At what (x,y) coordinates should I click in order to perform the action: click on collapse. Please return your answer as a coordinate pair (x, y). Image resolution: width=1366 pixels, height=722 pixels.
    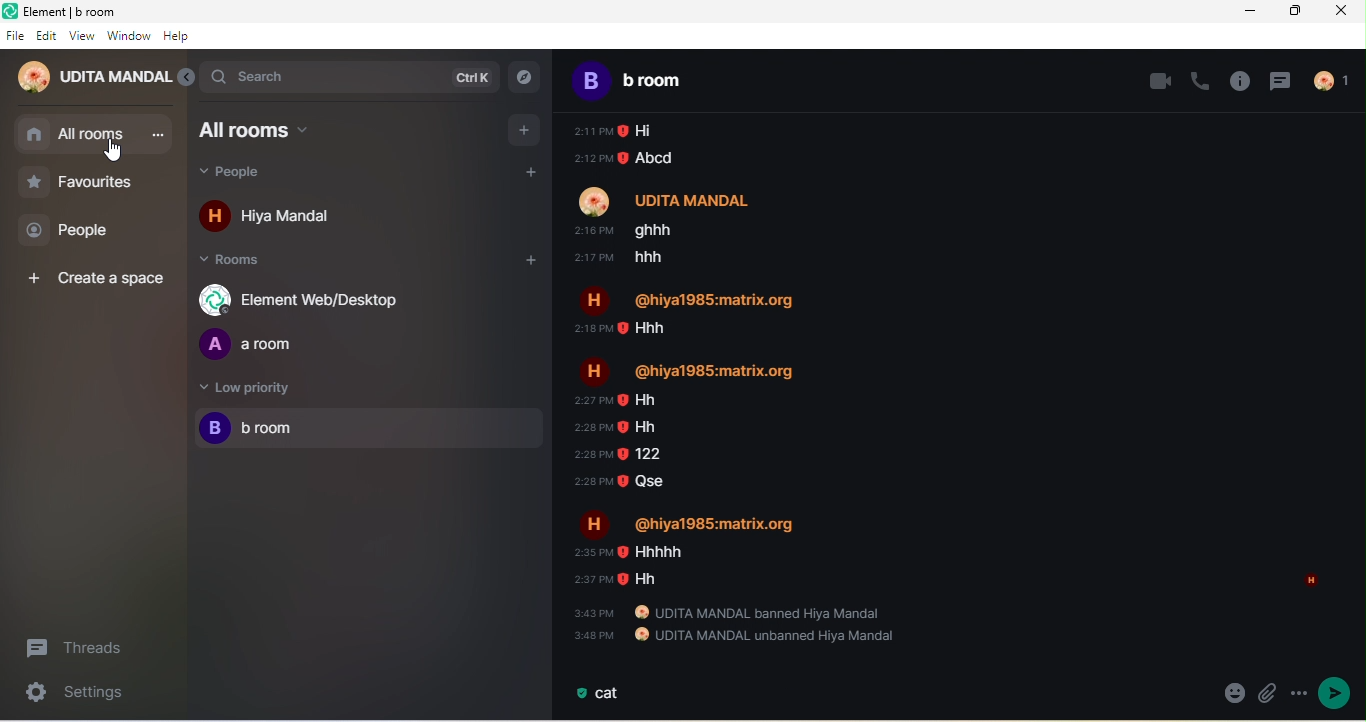
    Looking at the image, I should click on (187, 80).